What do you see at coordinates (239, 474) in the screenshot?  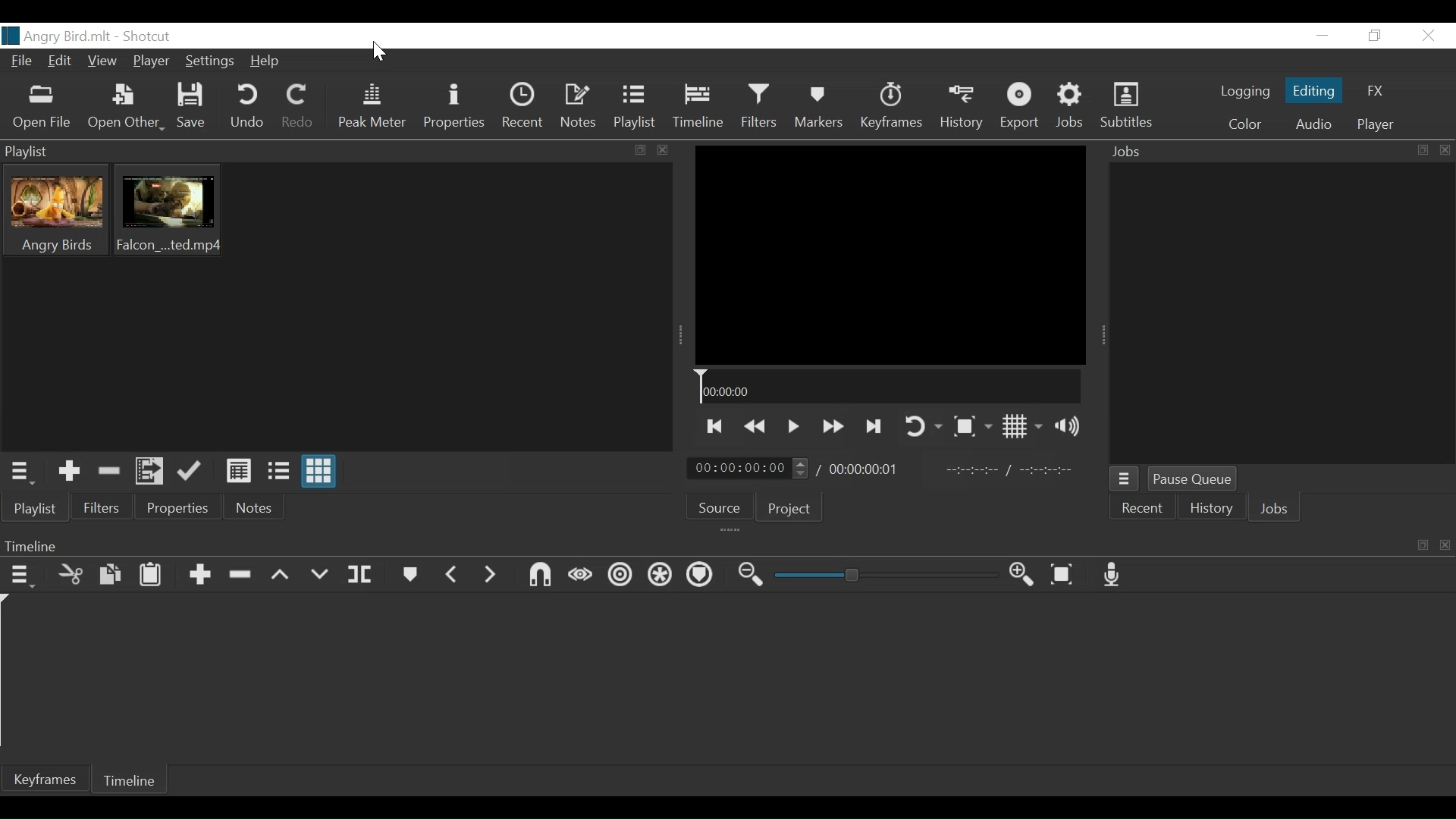 I see `View as Detail` at bounding box center [239, 474].